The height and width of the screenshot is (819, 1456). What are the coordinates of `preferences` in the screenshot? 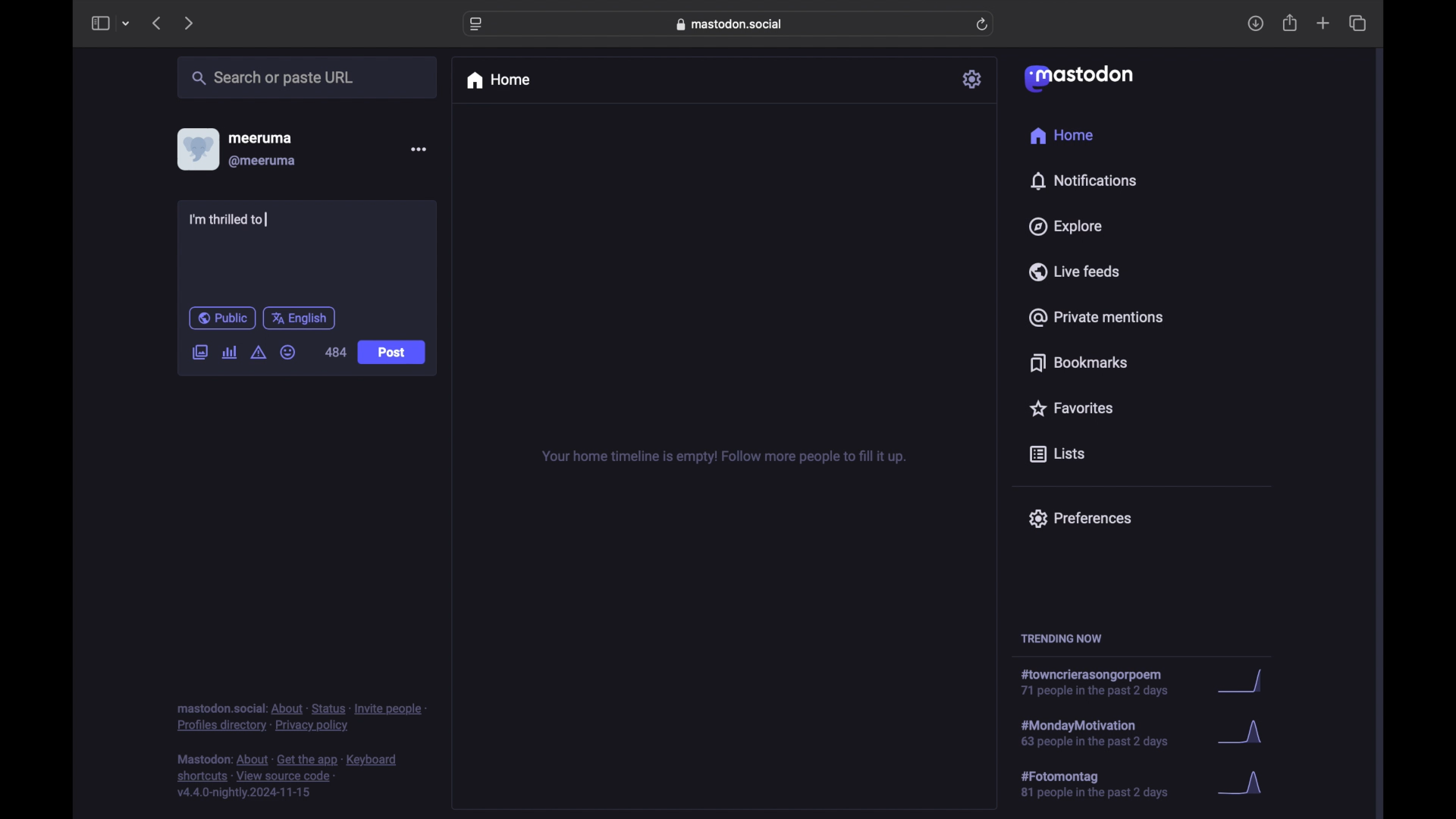 It's located at (1080, 519).